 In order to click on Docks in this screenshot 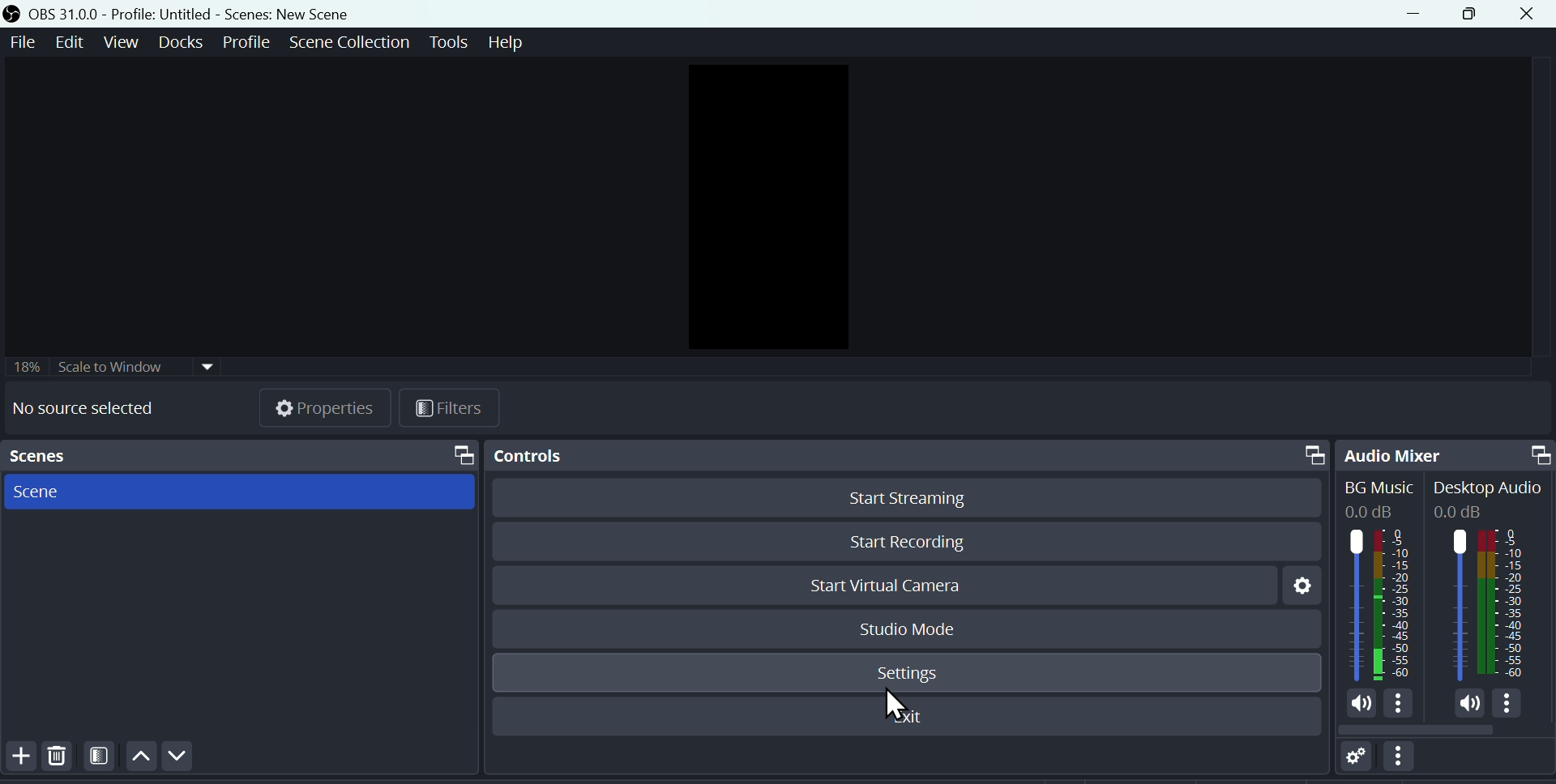, I will do `click(180, 43)`.